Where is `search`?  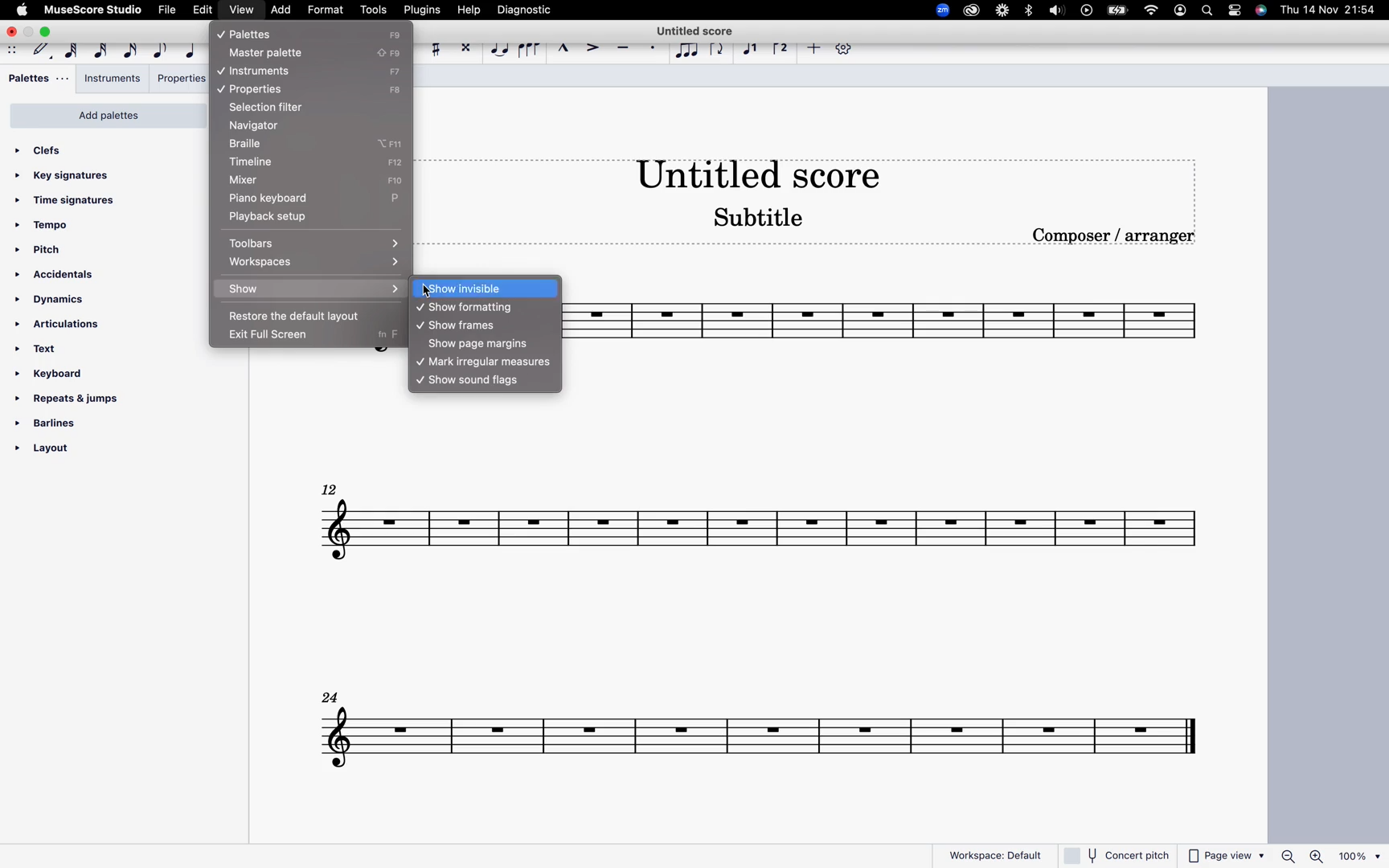 search is located at coordinates (1208, 10).